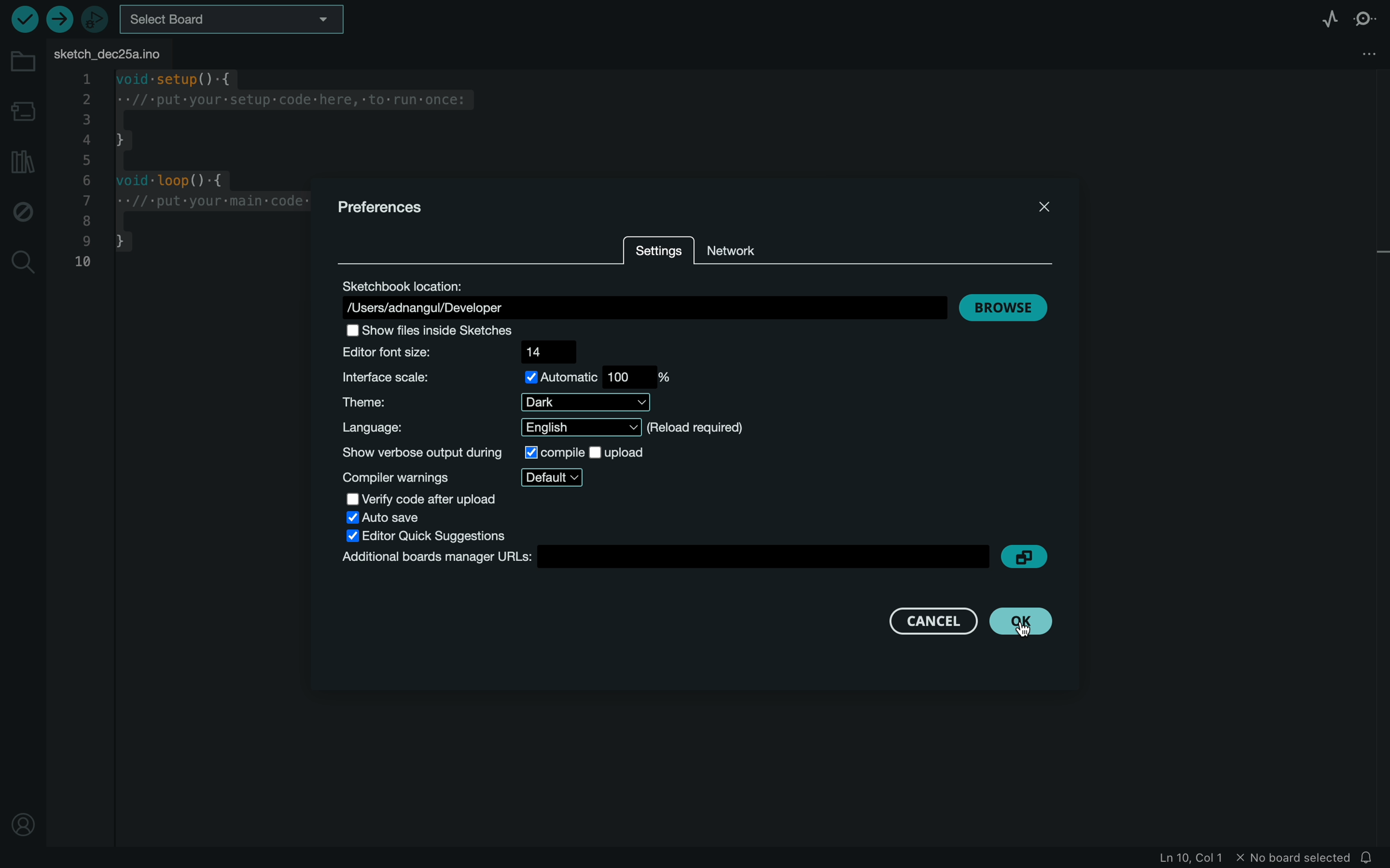 Image resolution: width=1390 pixels, height=868 pixels. I want to click on debug, so click(21, 214).